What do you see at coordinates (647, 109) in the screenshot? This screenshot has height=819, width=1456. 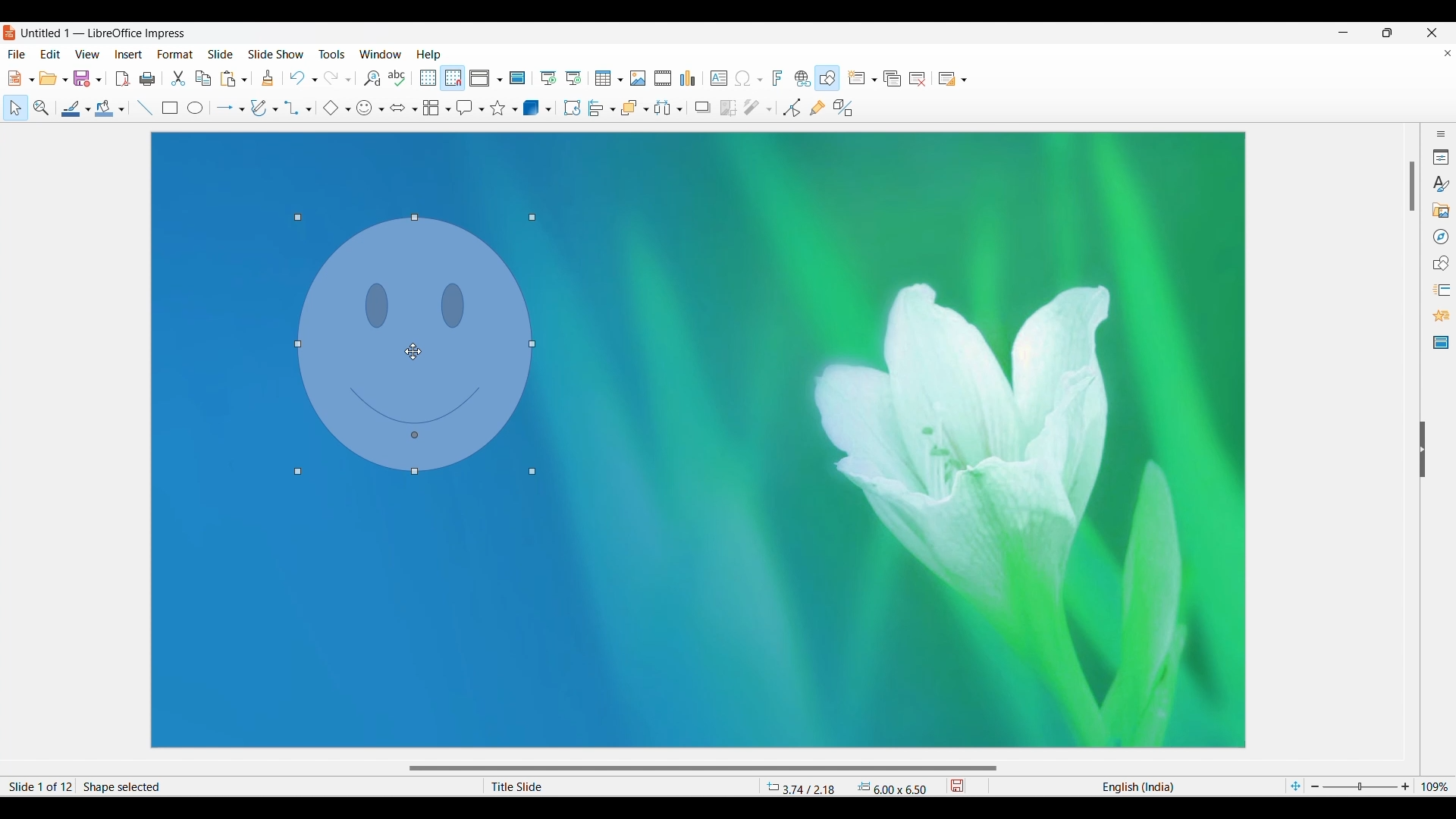 I see `Arrange options` at bounding box center [647, 109].